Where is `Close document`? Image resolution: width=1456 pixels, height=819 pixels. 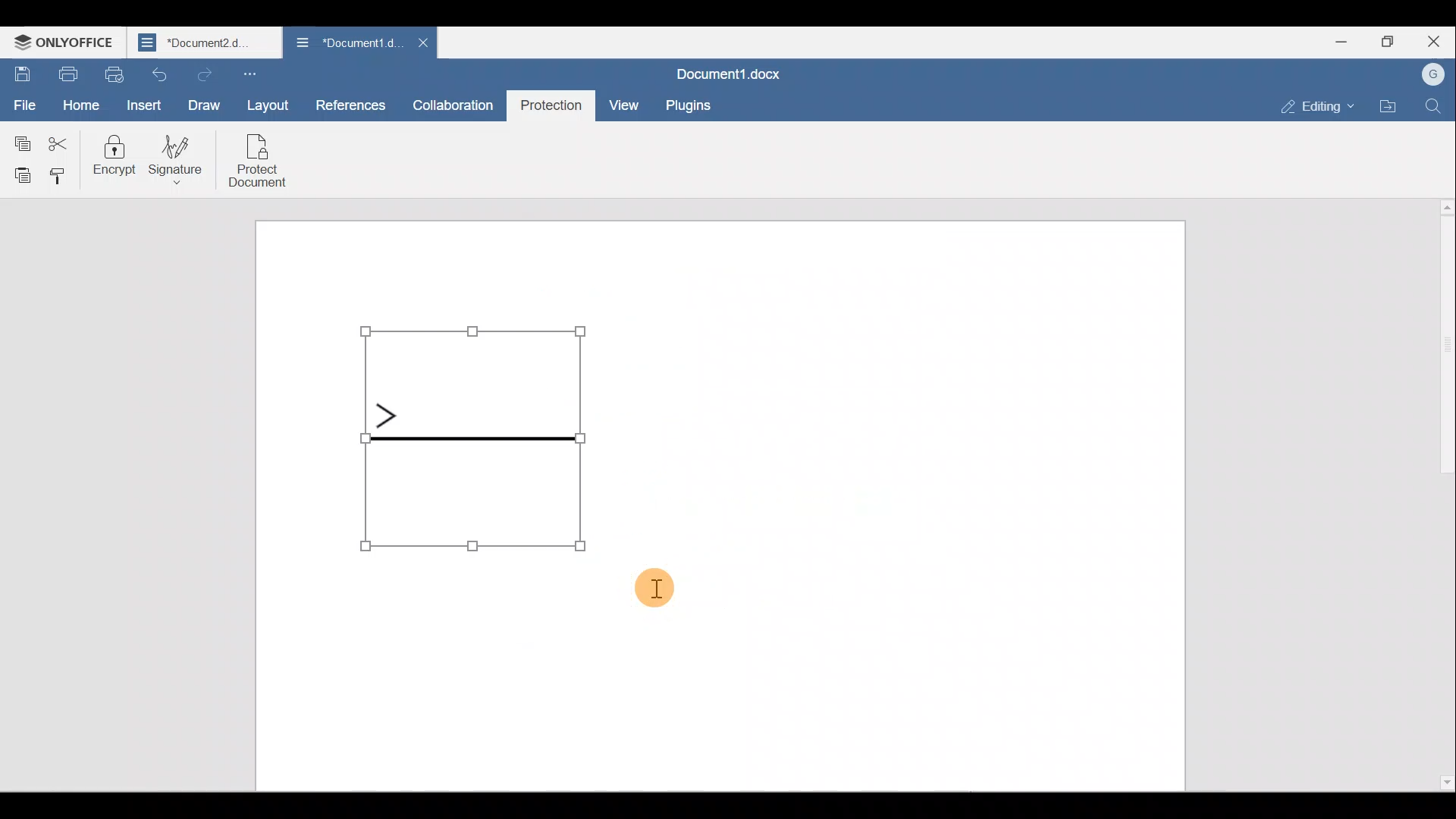
Close document is located at coordinates (425, 42).